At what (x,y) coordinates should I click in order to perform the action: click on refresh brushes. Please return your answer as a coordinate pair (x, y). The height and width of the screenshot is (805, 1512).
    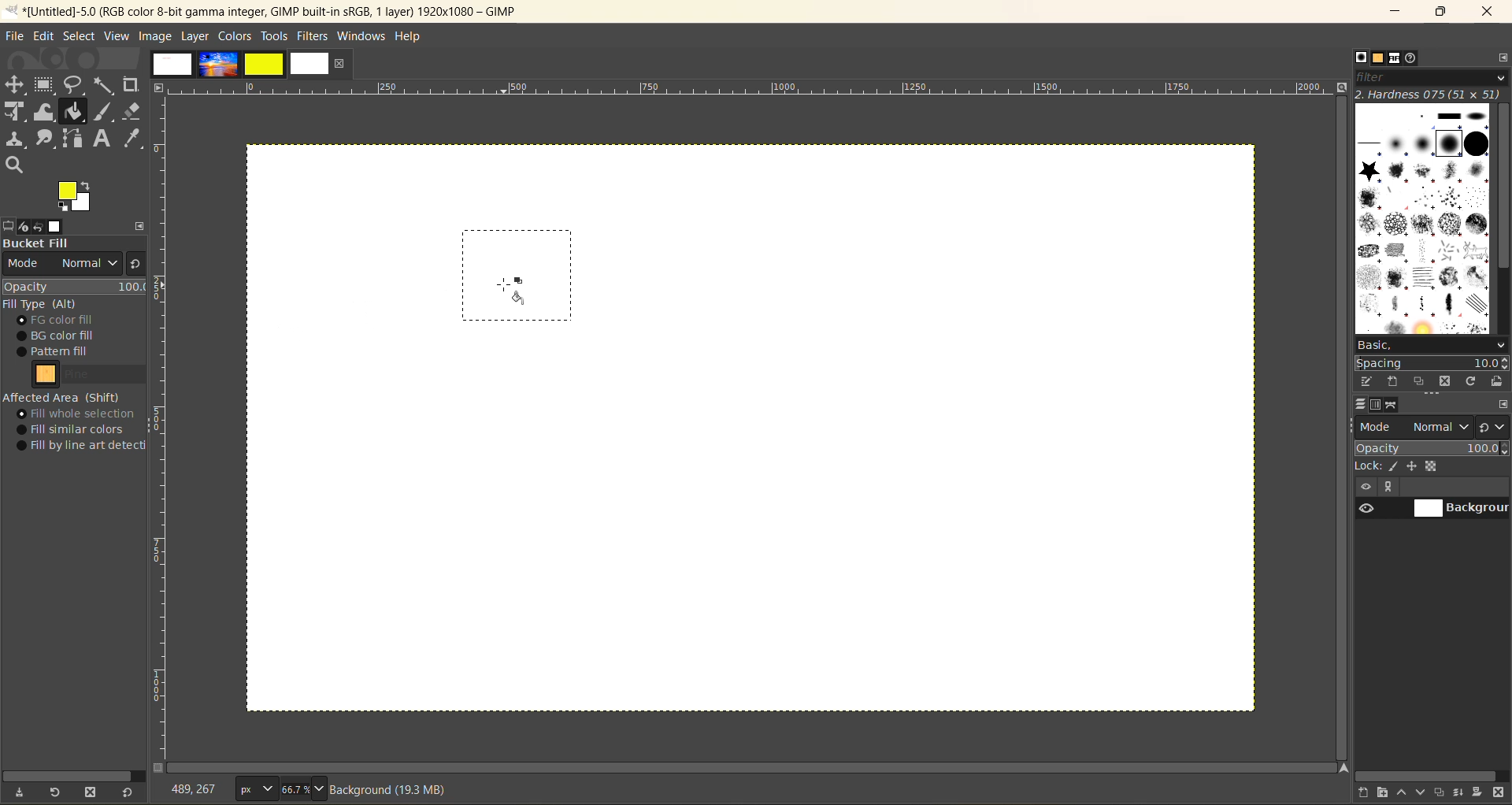
    Looking at the image, I should click on (1470, 381).